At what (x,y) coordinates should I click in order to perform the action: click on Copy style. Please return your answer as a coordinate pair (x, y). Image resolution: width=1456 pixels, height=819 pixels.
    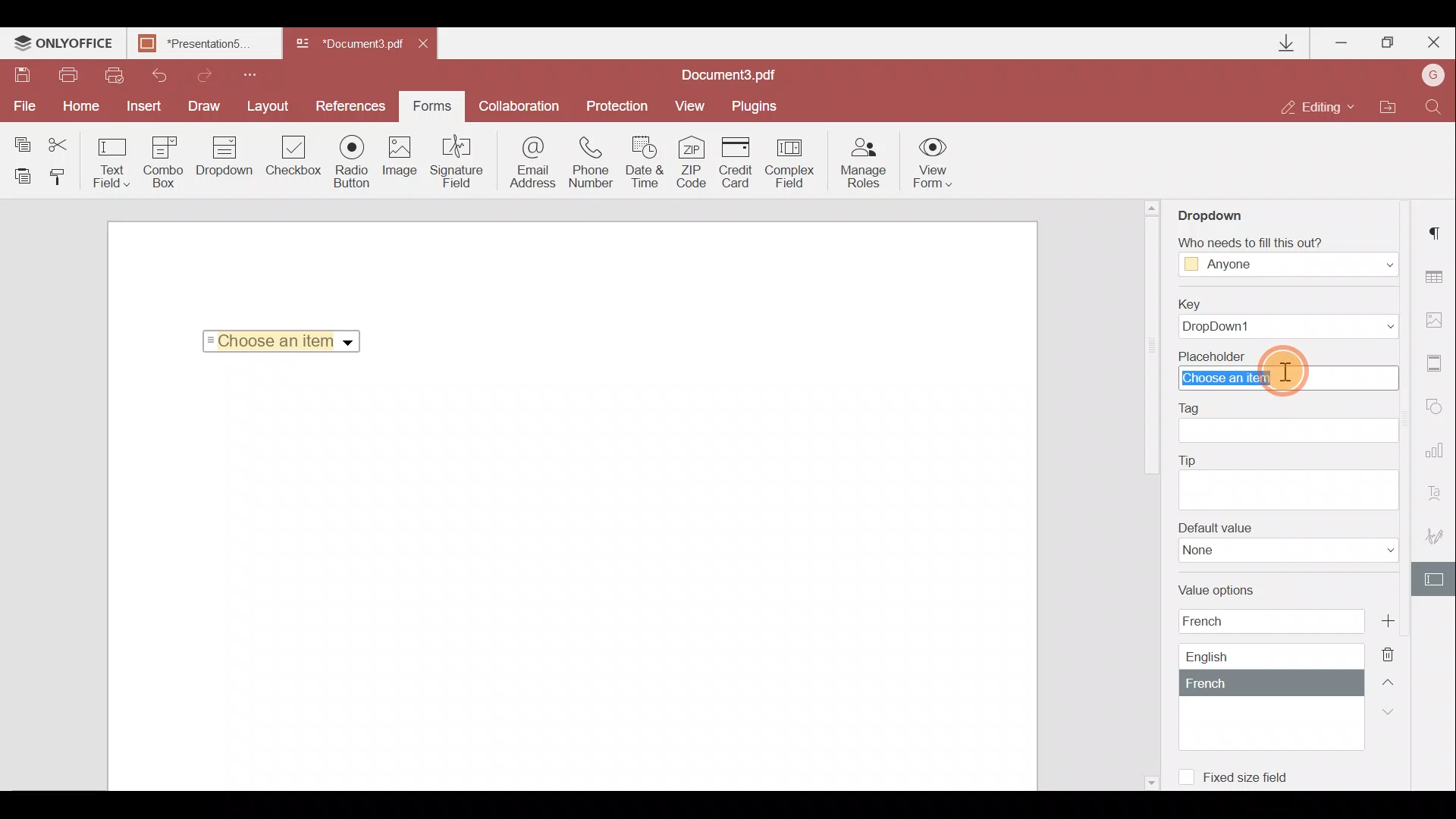
    Looking at the image, I should click on (62, 176).